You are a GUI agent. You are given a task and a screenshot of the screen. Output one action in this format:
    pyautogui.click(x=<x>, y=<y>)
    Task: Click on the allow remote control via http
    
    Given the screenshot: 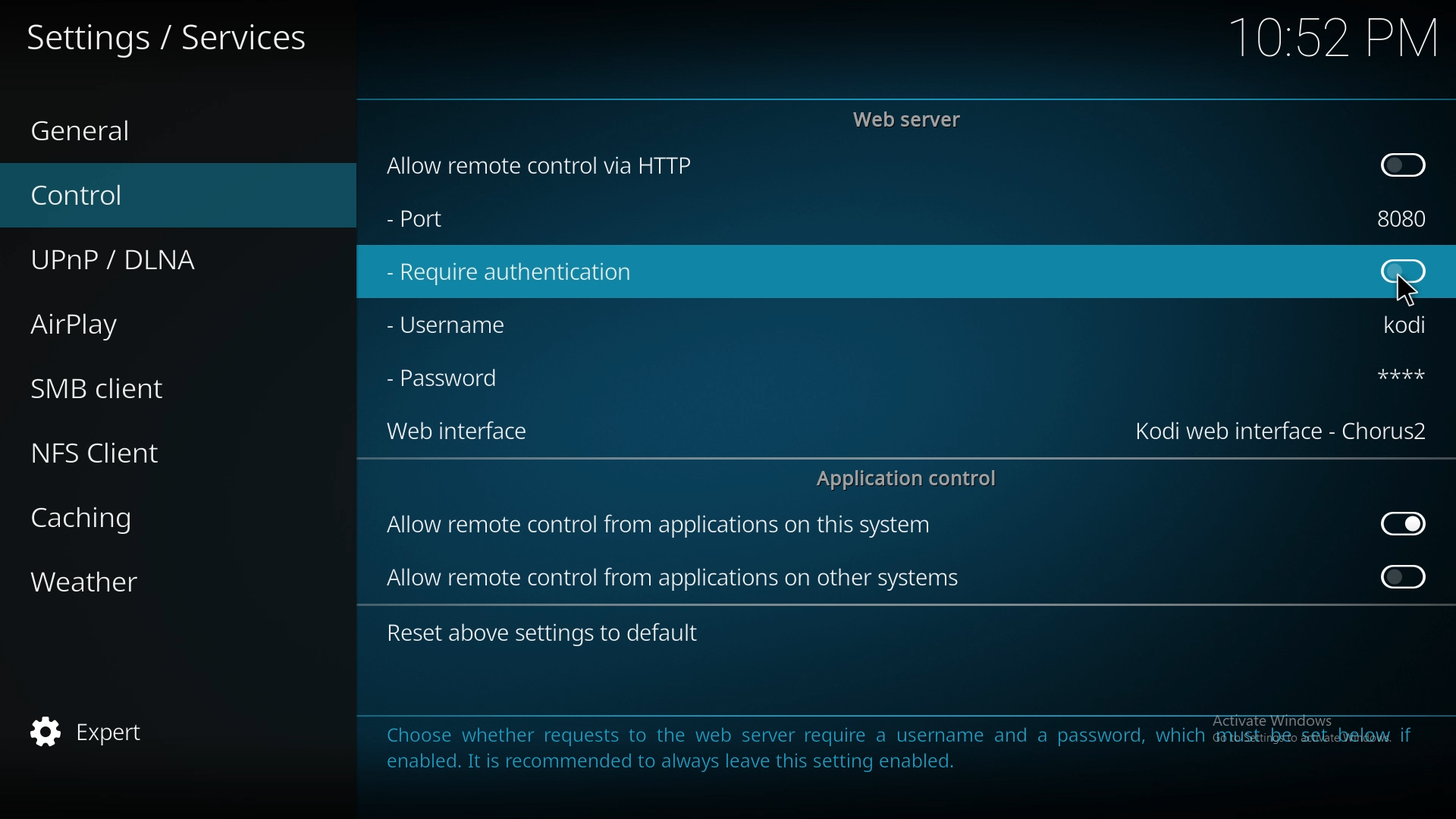 What is the action you would take?
    pyautogui.click(x=537, y=165)
    